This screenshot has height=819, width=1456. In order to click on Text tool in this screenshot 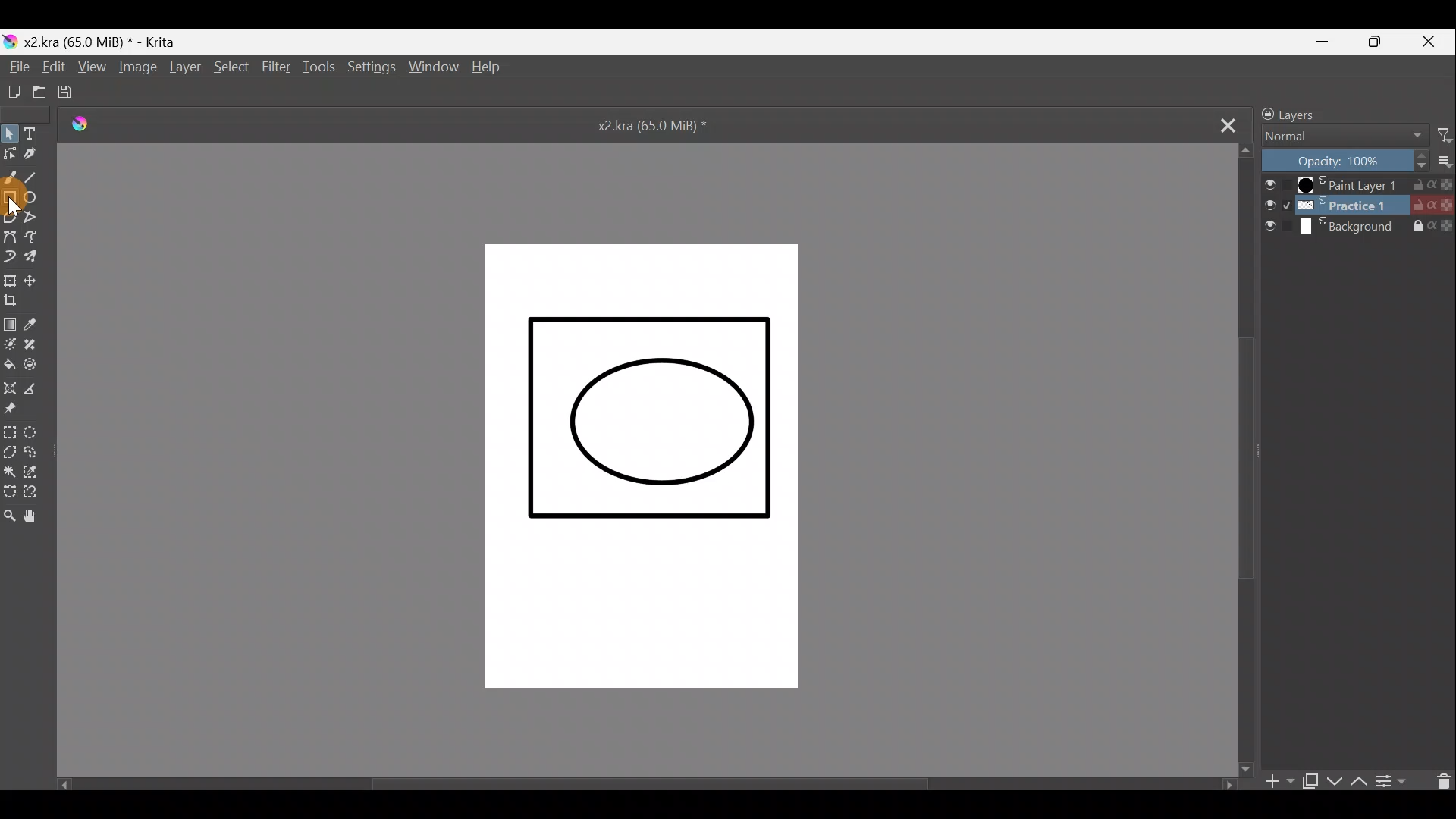, I will do `click(30, 132)`.